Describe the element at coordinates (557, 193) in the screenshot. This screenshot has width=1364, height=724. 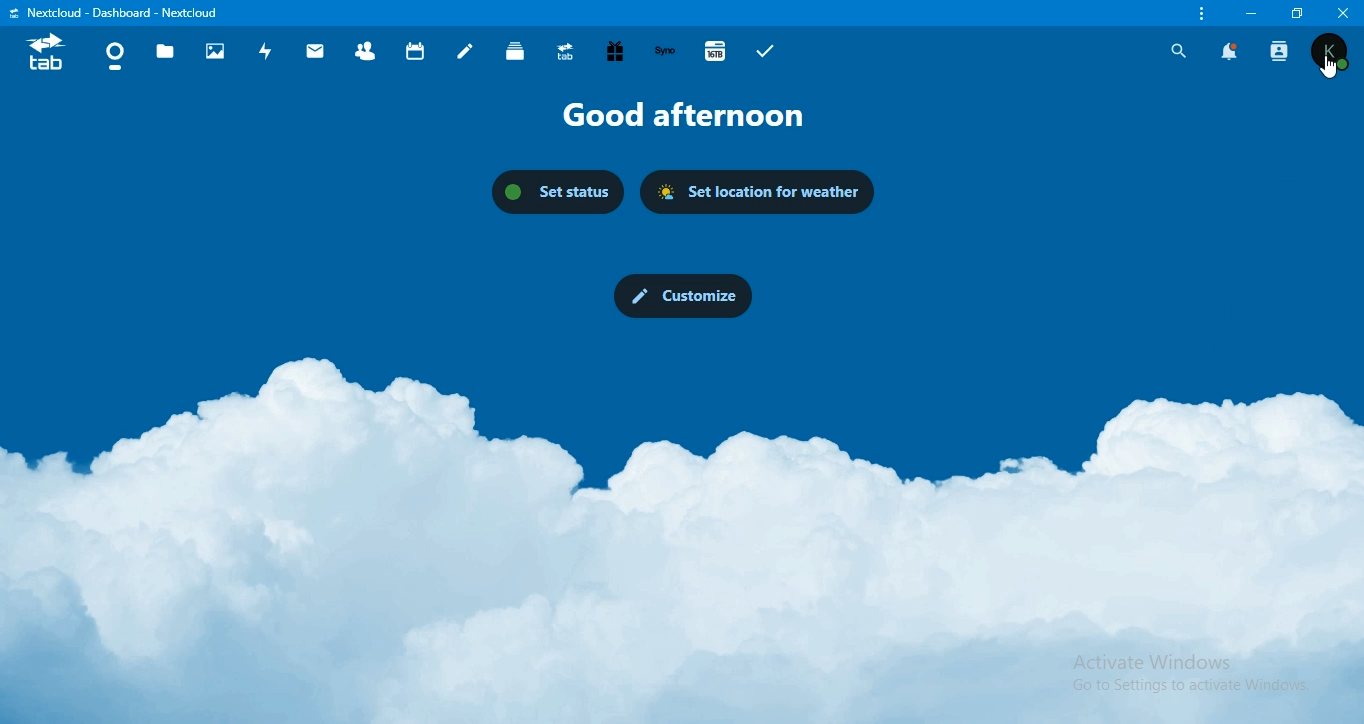
I see `set status` at that location.